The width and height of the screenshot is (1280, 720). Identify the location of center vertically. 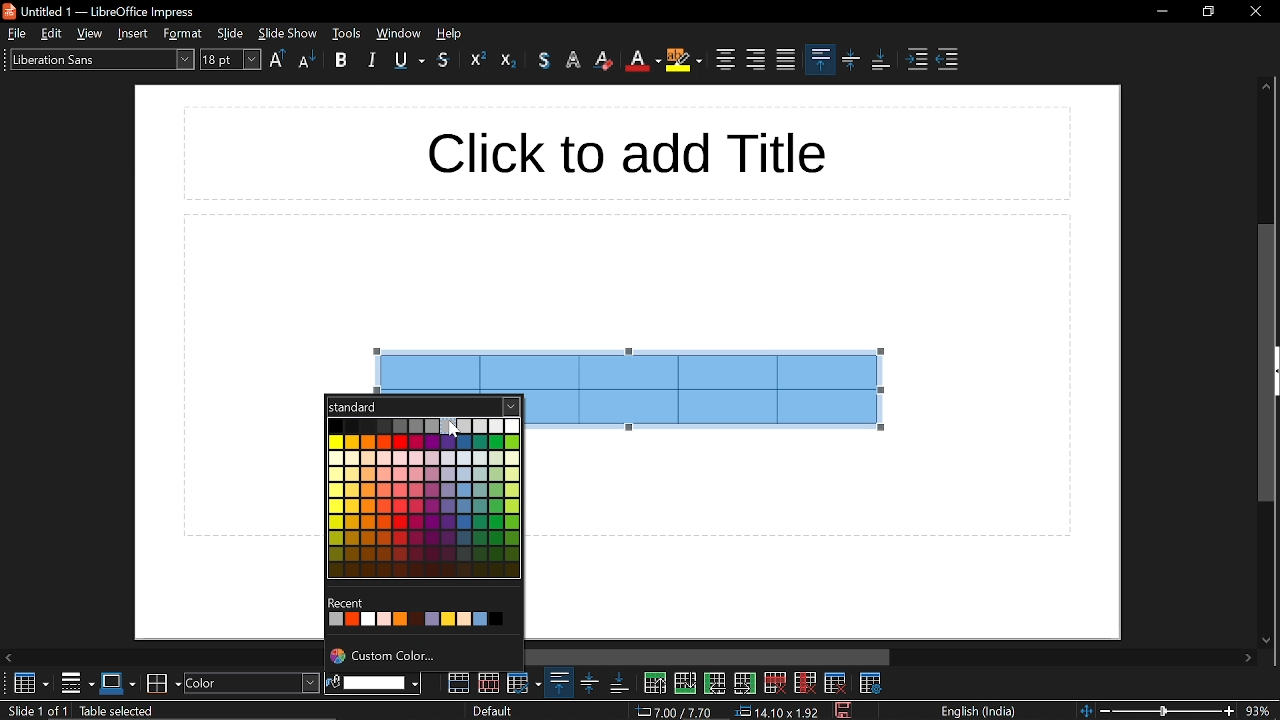
(586, 683).